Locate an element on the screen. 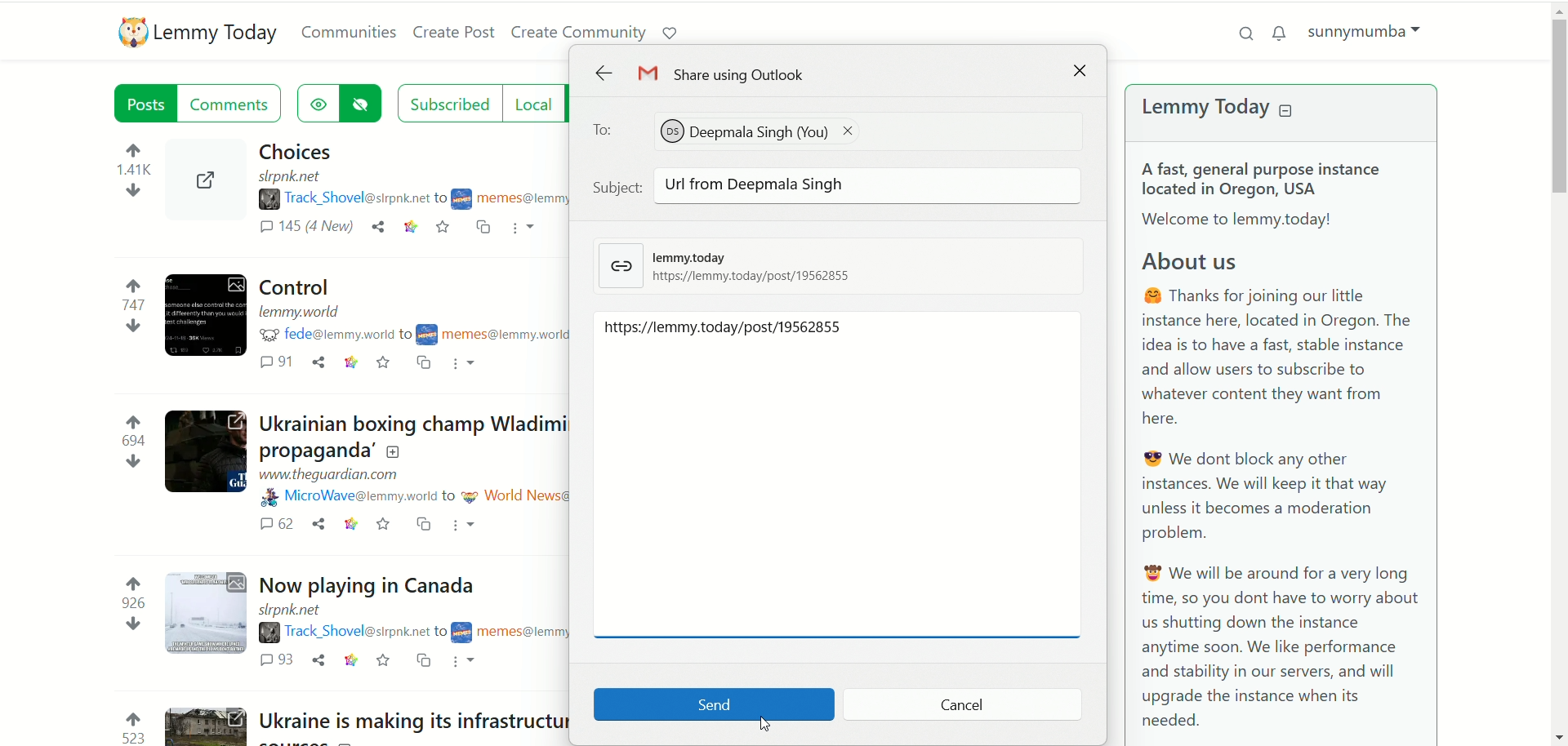 The height and width of the screenshot is (746, 1568). cancel is located at coordinates (968, 708).